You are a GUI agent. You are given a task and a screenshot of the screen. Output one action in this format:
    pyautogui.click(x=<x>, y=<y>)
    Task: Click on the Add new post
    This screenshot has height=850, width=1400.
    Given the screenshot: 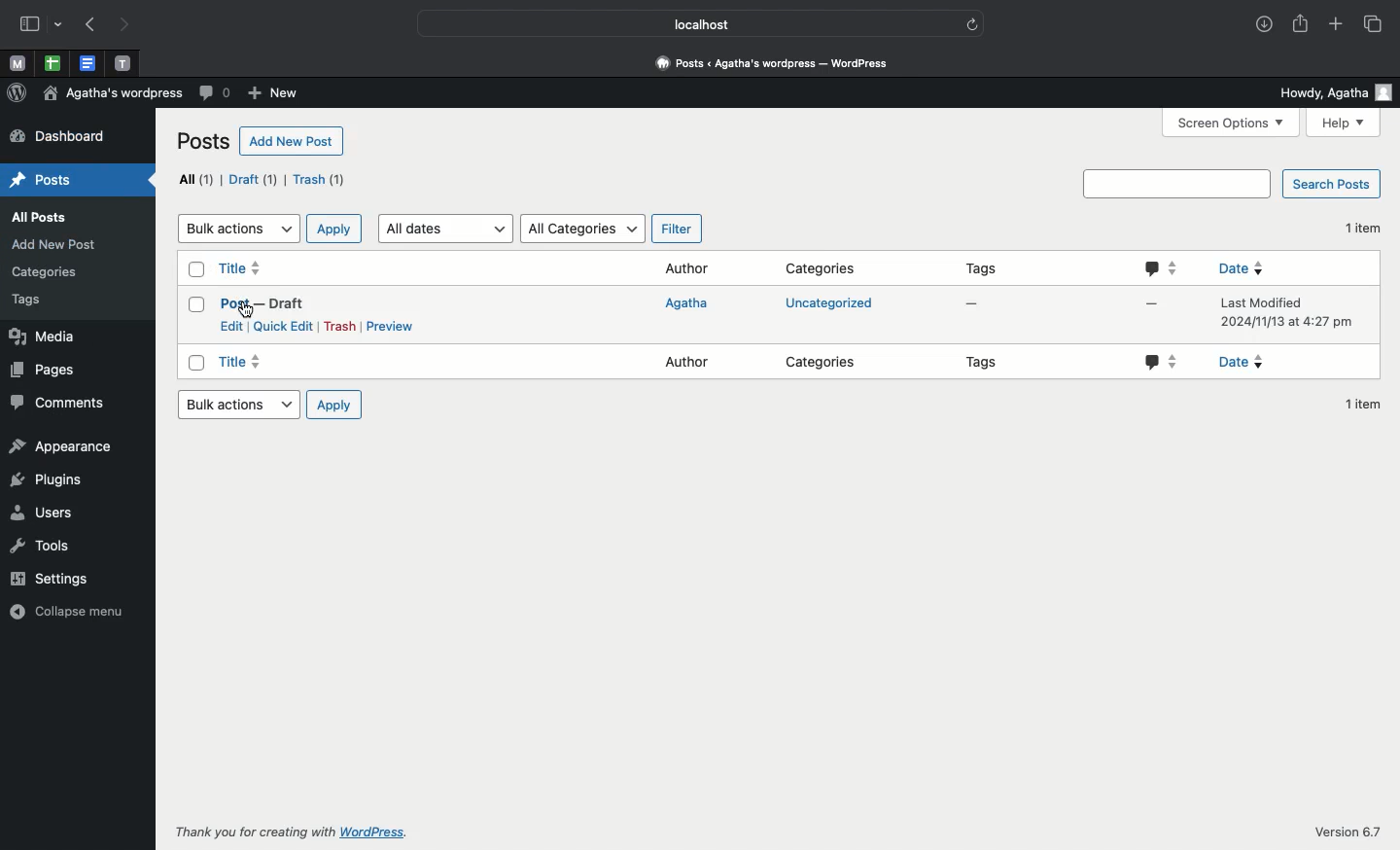 What is the action you would take?
    pyautogui.click(x=60, y=241)
    